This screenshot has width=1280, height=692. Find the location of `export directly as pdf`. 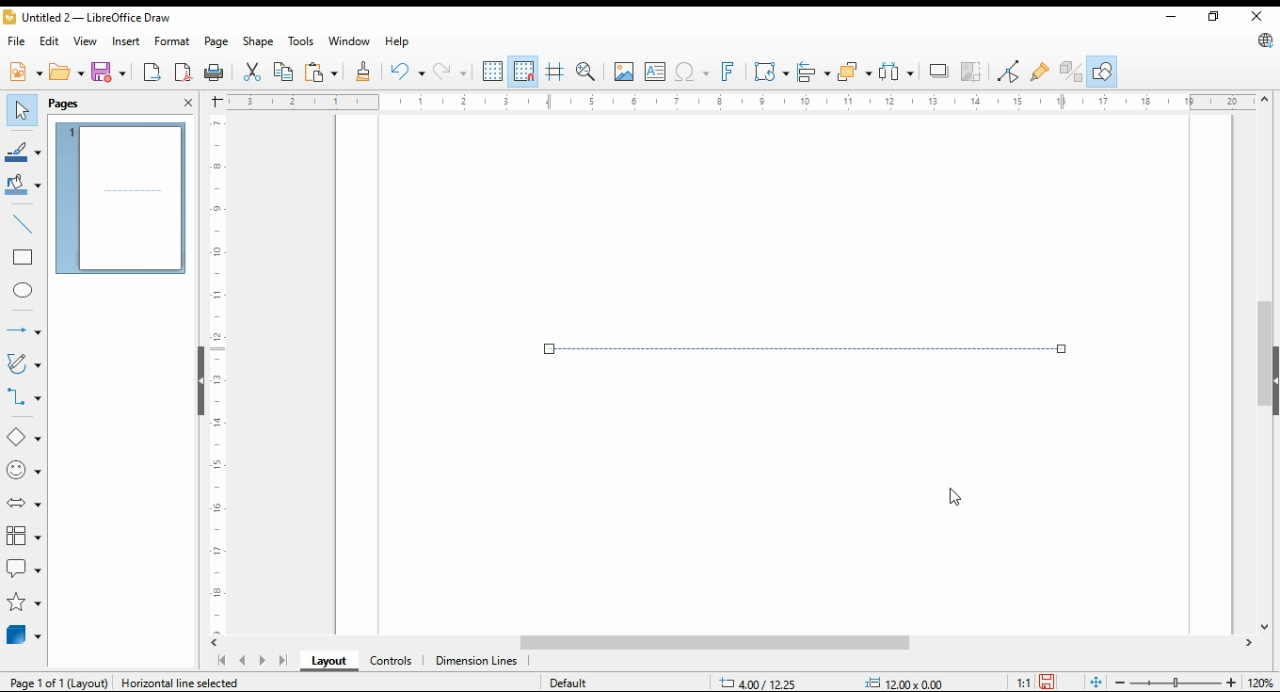

export directly as pdf is located at coordinates (184, 71).